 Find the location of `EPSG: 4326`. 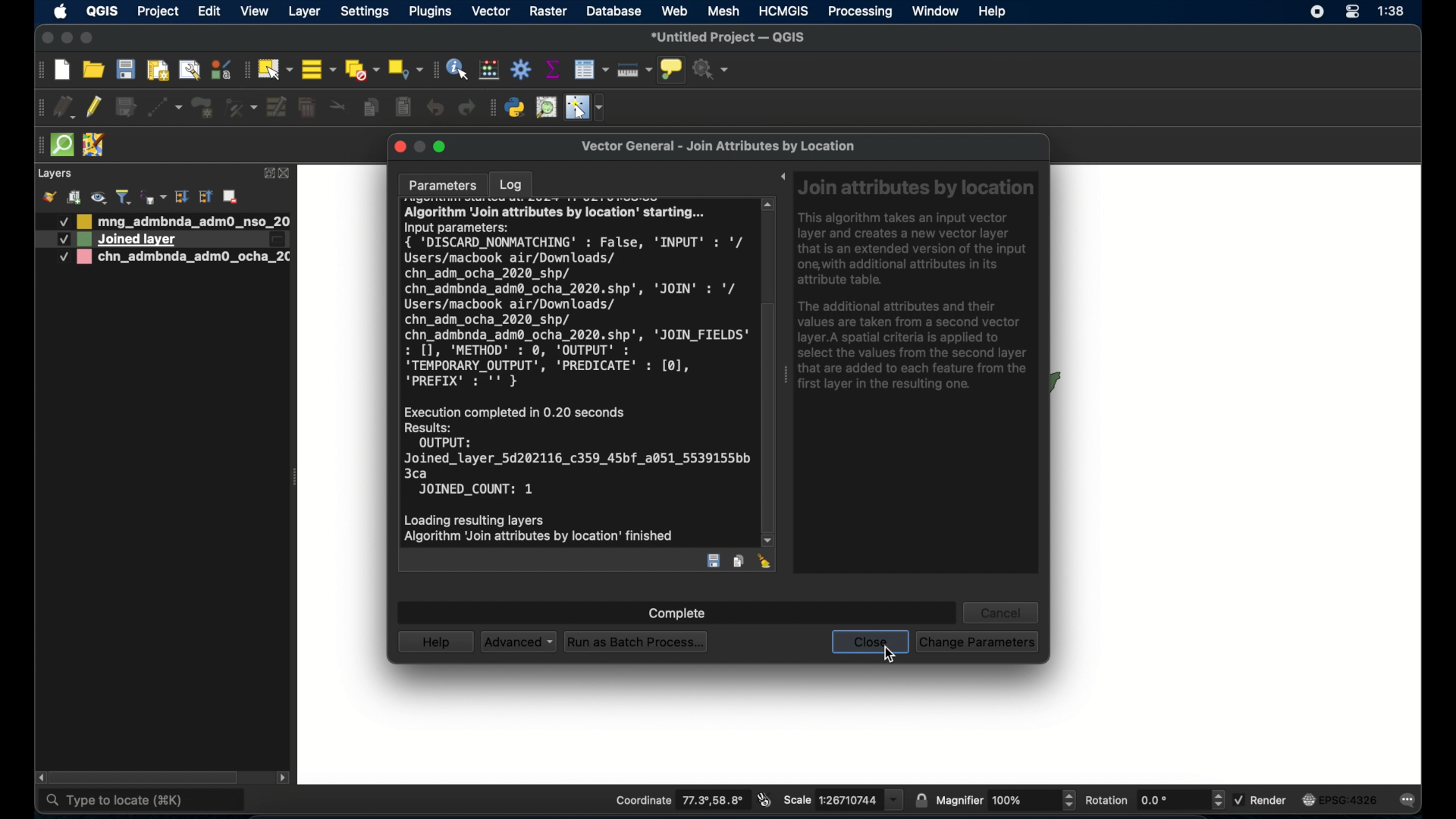

EPSG: 4326 is located at coordinates (1339, 799).